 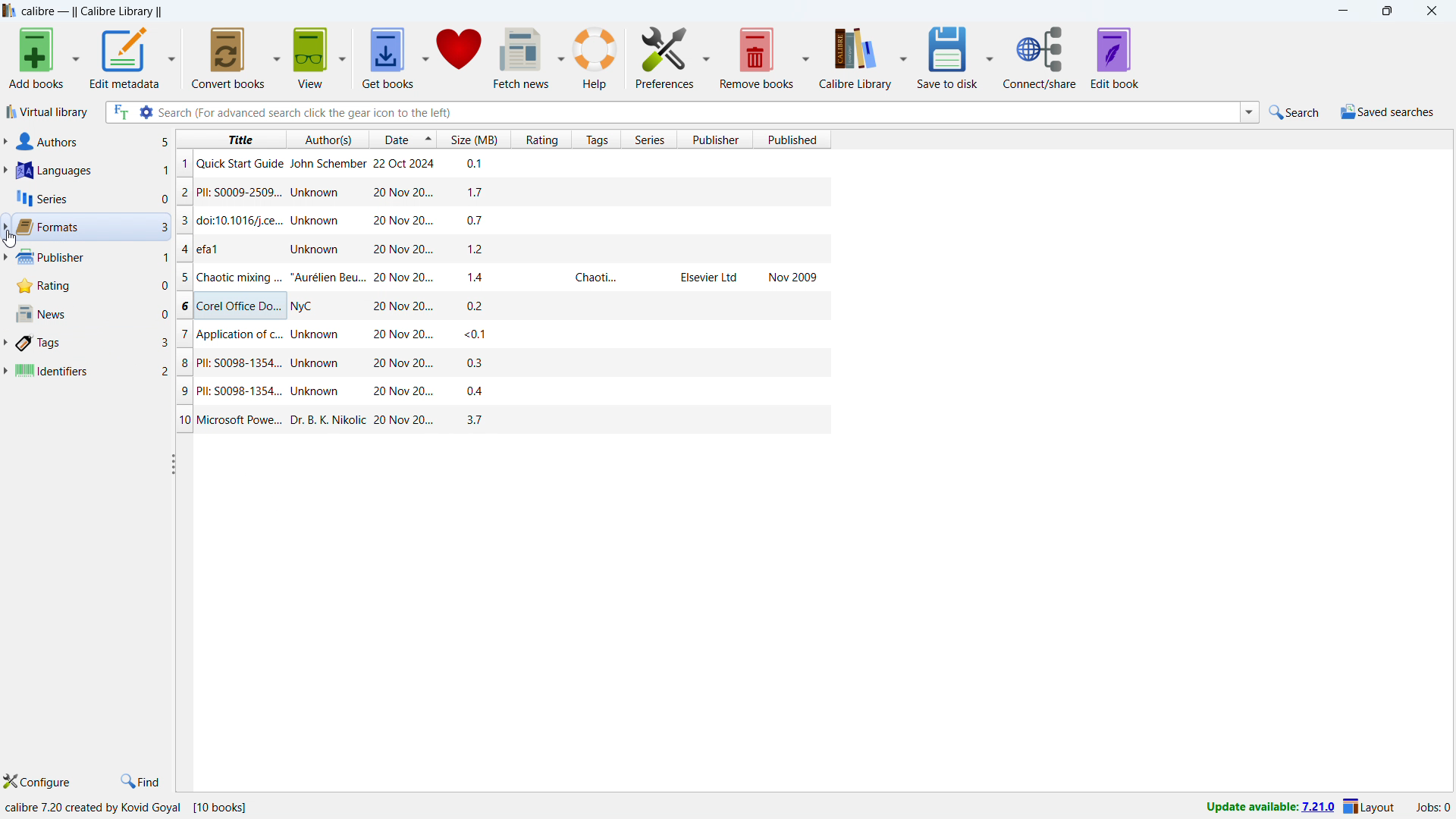 I want to click on sort by tags, so click(x=597, y=139).